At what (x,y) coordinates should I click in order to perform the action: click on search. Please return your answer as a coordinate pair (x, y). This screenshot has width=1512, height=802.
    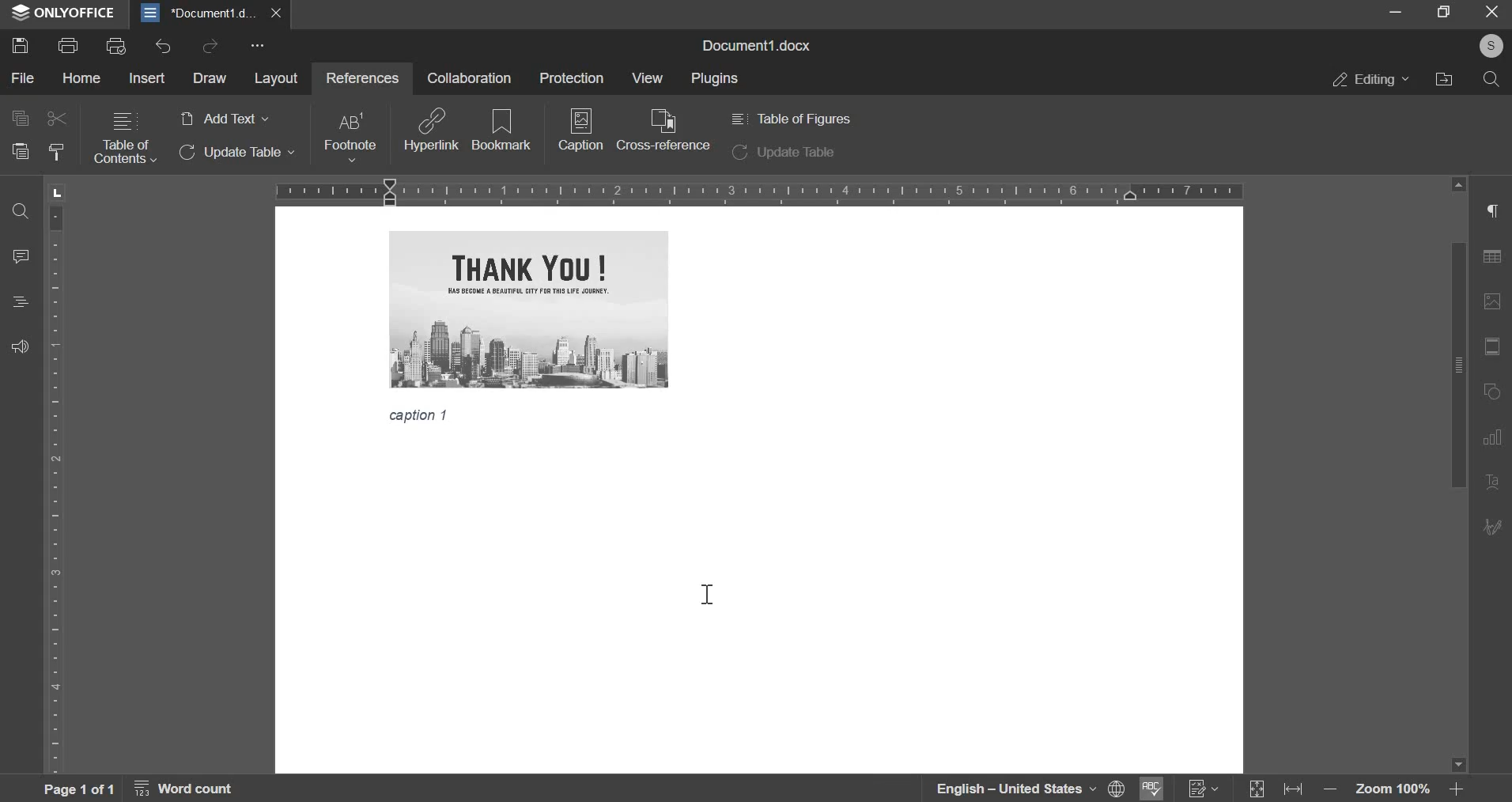
    Looking at the image, I should click on (1491, 79).